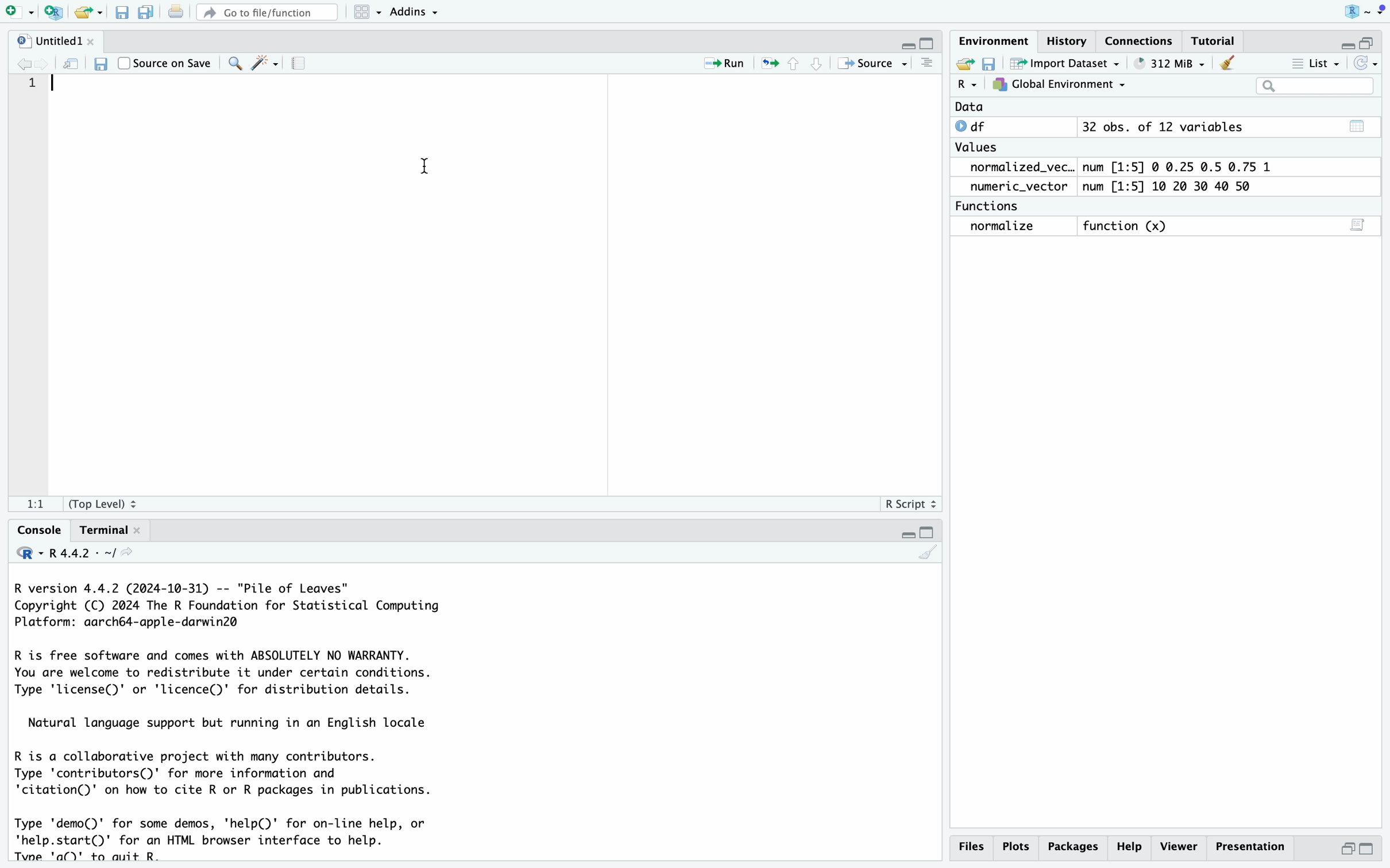  Describe the element at coordinates (115, 501) in the screenshot. I see `(Top Level) 2` at that location.